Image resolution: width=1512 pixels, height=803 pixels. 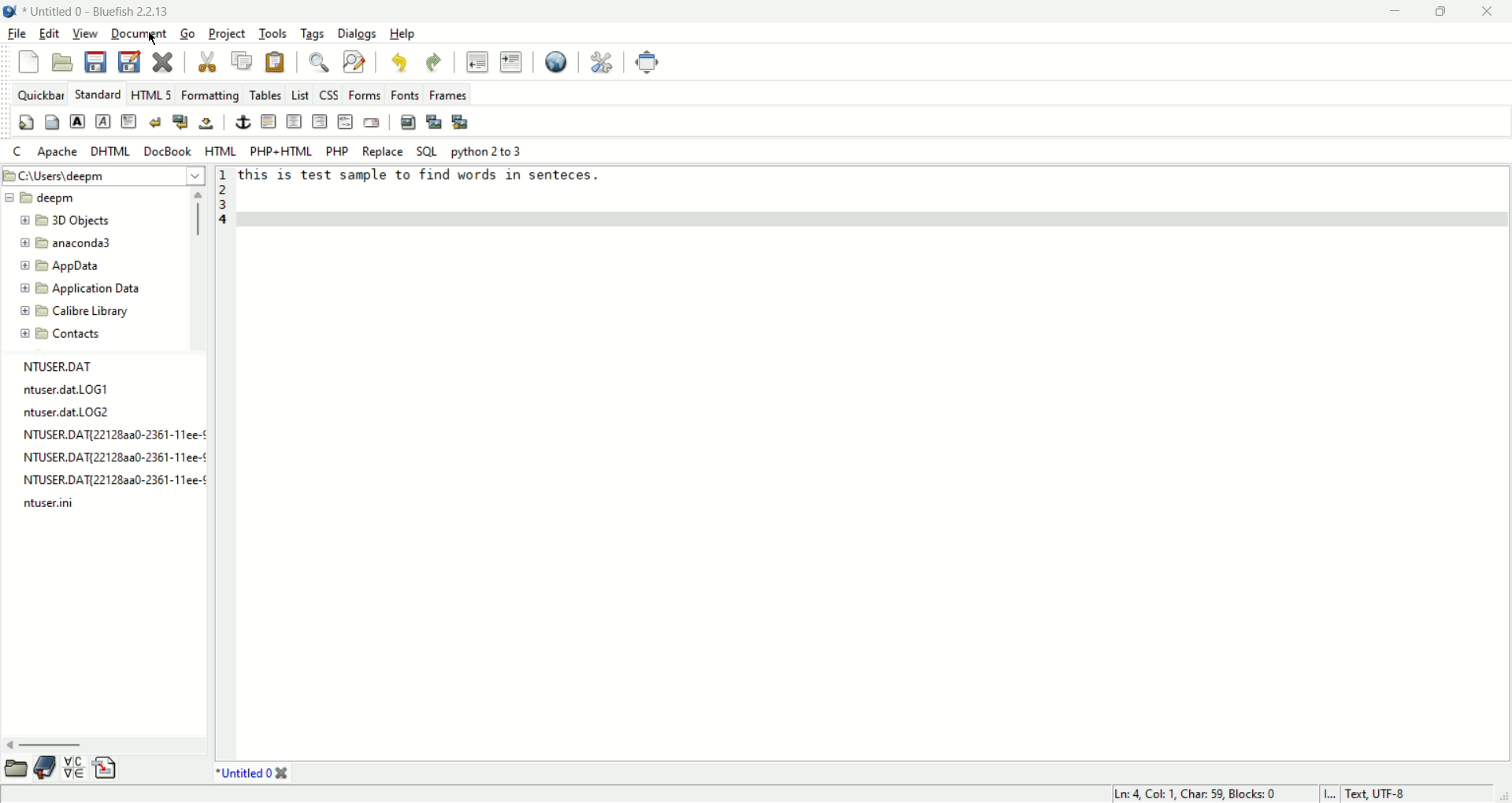 What do you see at coordinates (77, 121) in the screenshot?
I see `strong` at bounding box center [77, 121].